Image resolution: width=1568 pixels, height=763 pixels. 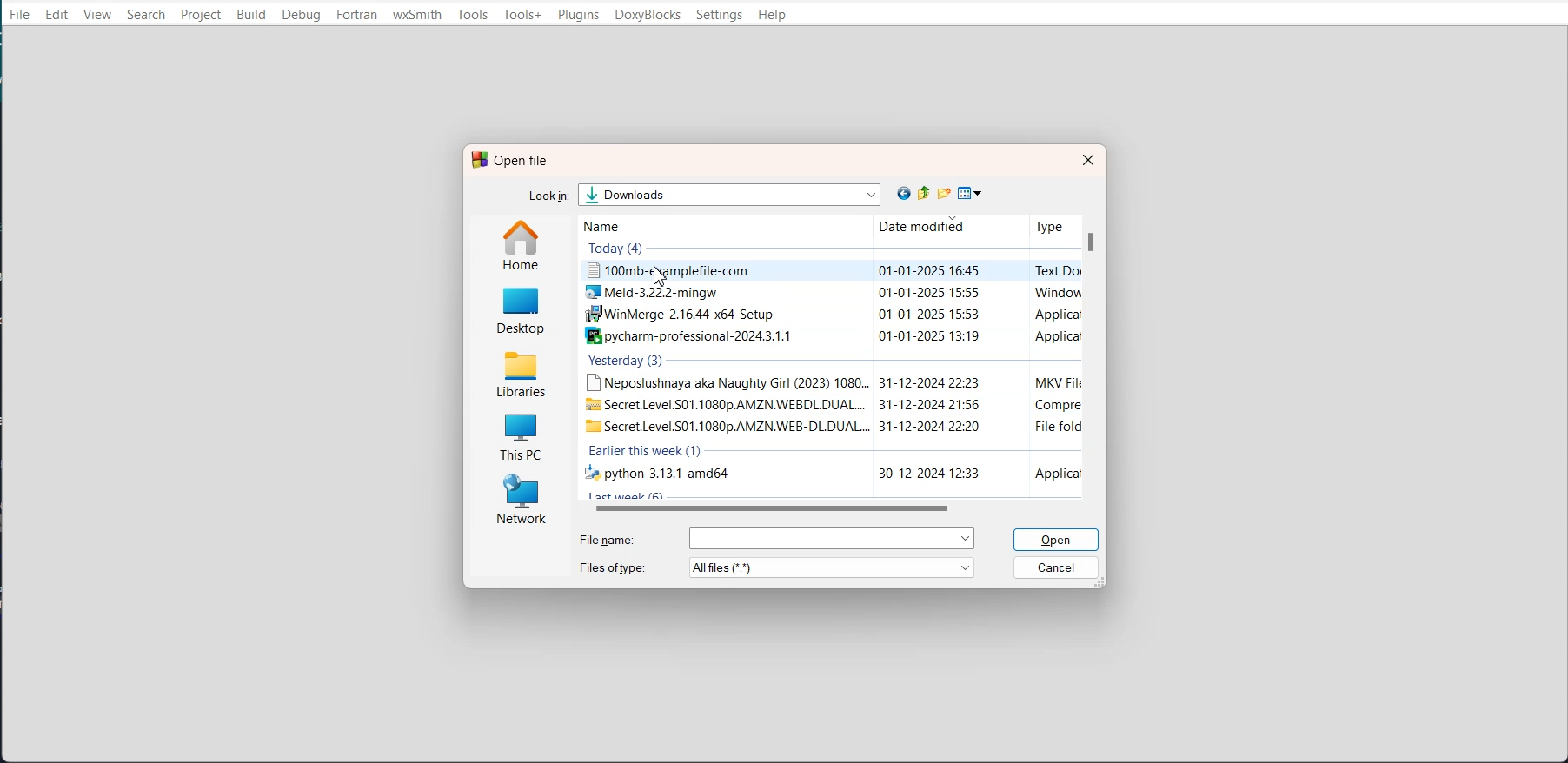 I want to click on secretLevel season 1, so click(x=827, y=426).